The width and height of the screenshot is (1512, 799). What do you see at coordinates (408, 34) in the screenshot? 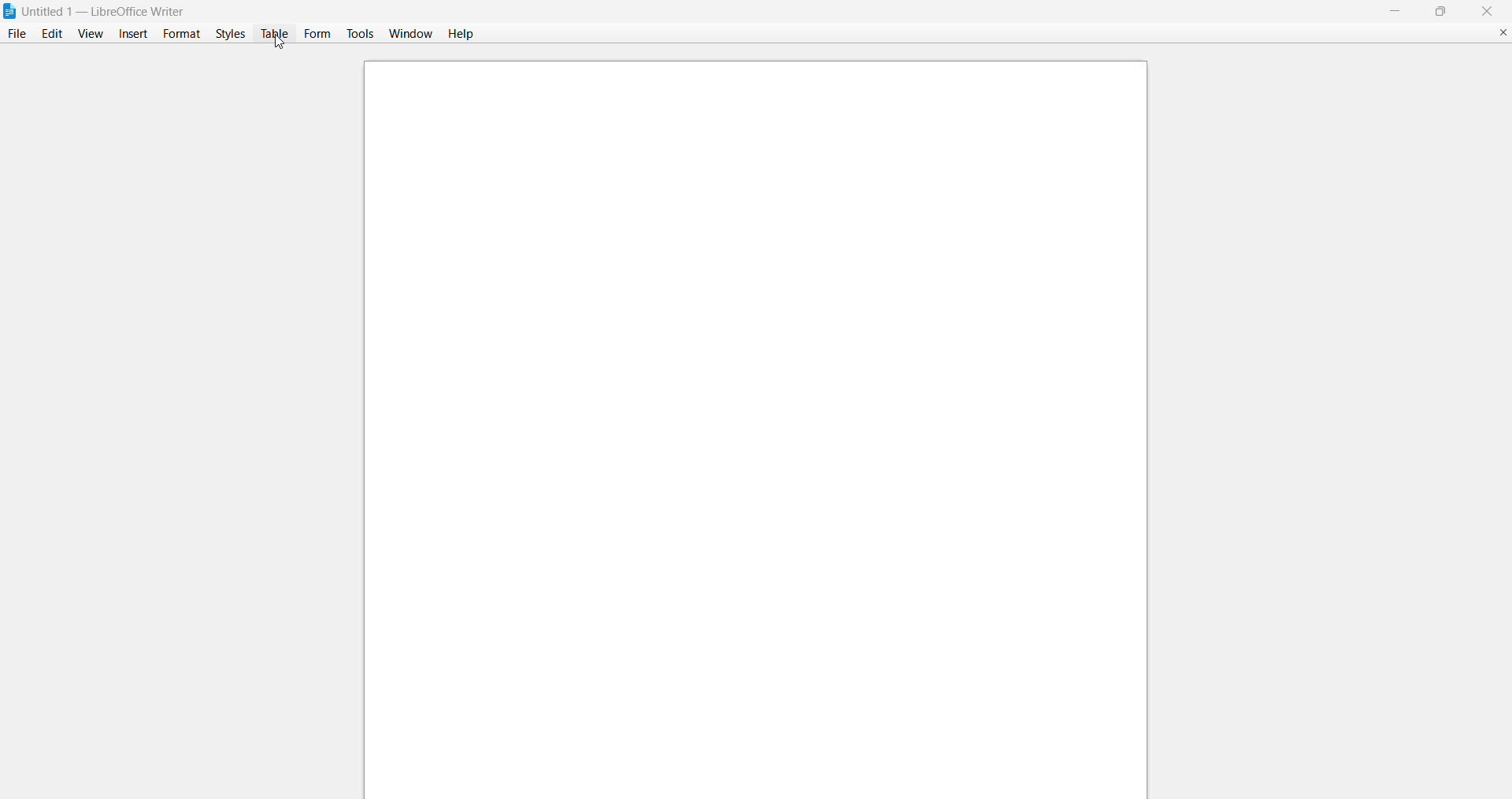
I see `window` at bounding box center [408, 34].